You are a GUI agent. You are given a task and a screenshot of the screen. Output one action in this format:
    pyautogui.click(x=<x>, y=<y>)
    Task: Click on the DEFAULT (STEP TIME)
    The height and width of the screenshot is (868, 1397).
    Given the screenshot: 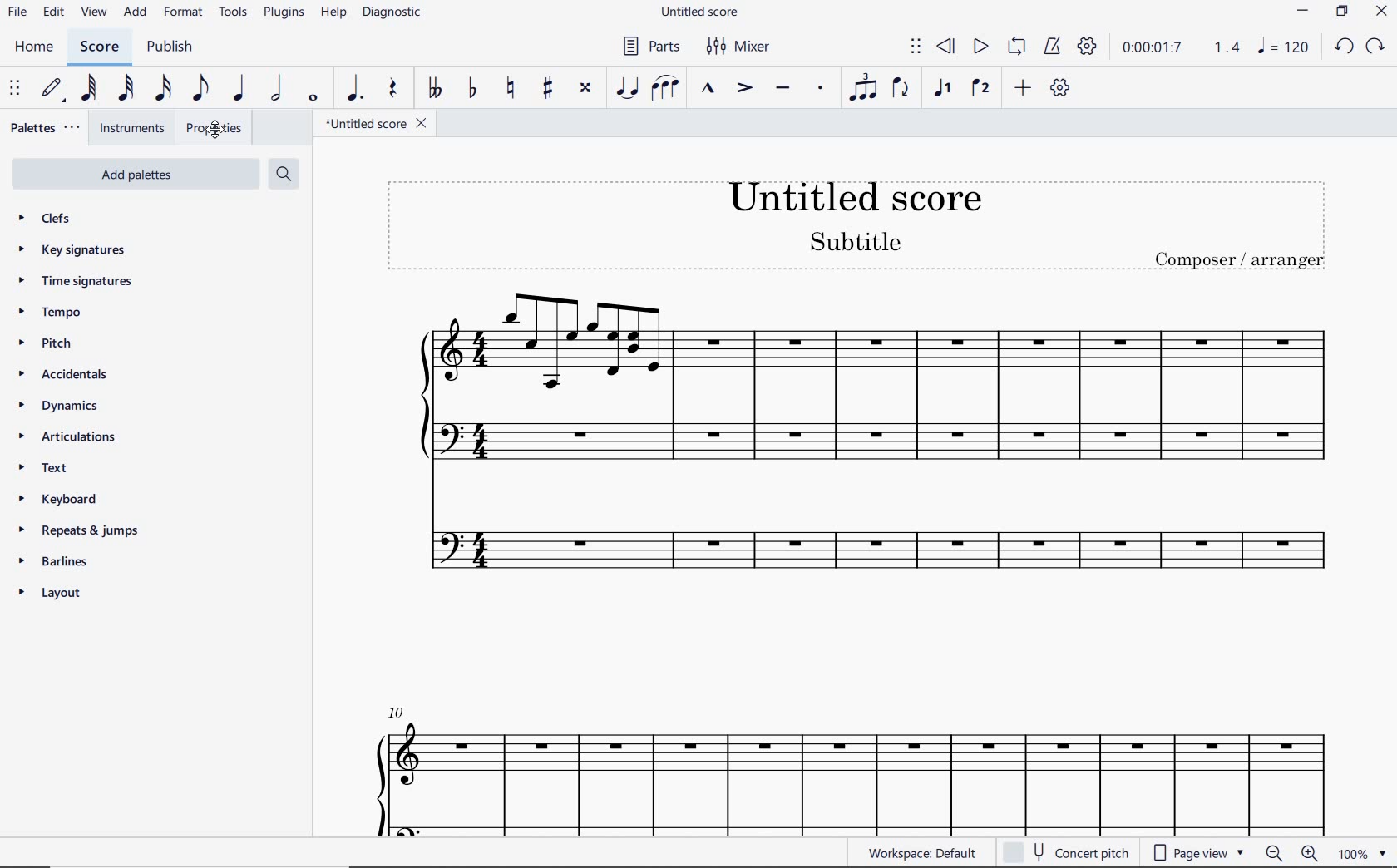 What is the action you would take?
    pyautogui.click(x=54, y=88)
    